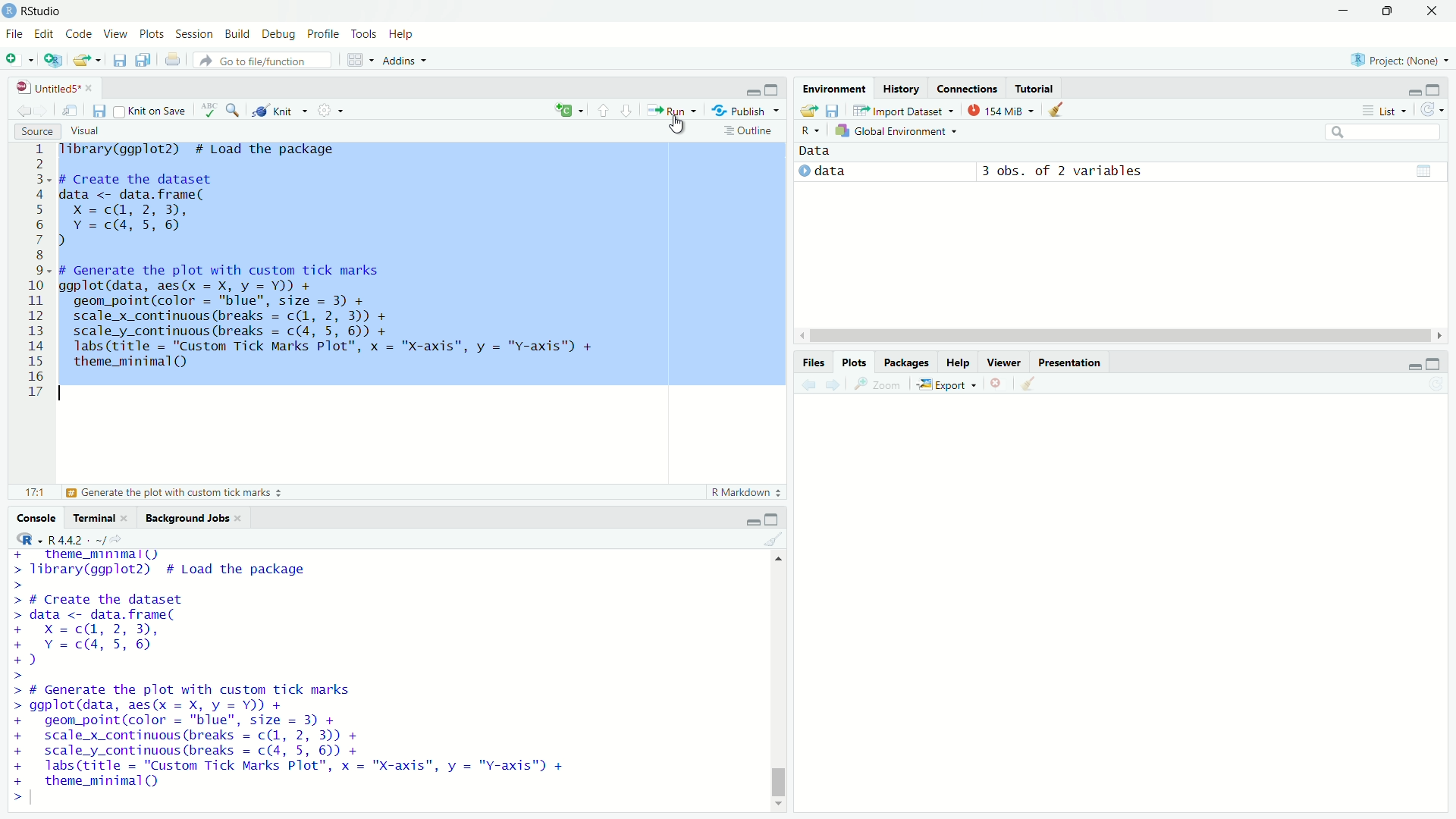  I want to click on publish, so click(749, 112).